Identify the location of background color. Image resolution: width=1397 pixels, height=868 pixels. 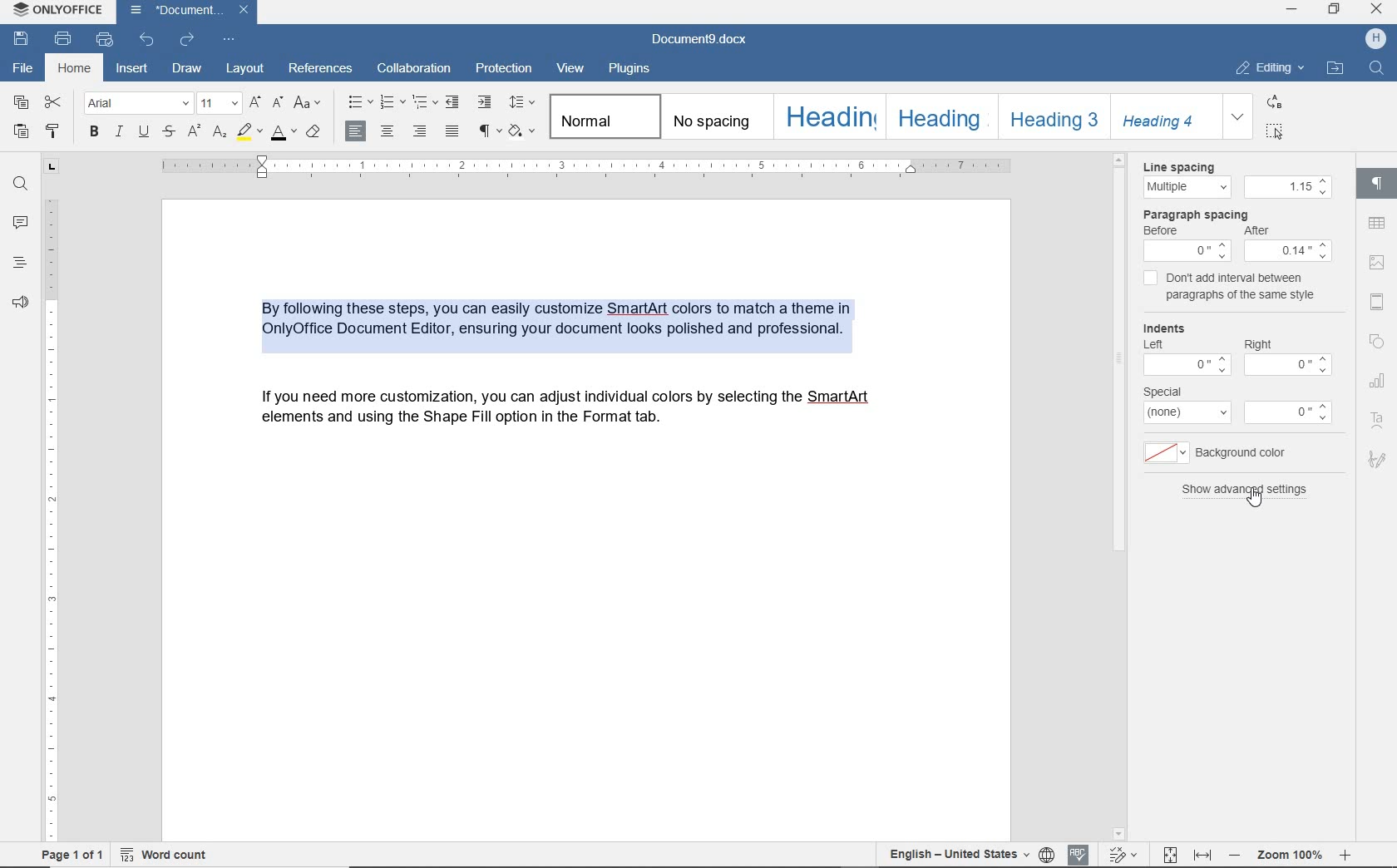
(1217, 453).